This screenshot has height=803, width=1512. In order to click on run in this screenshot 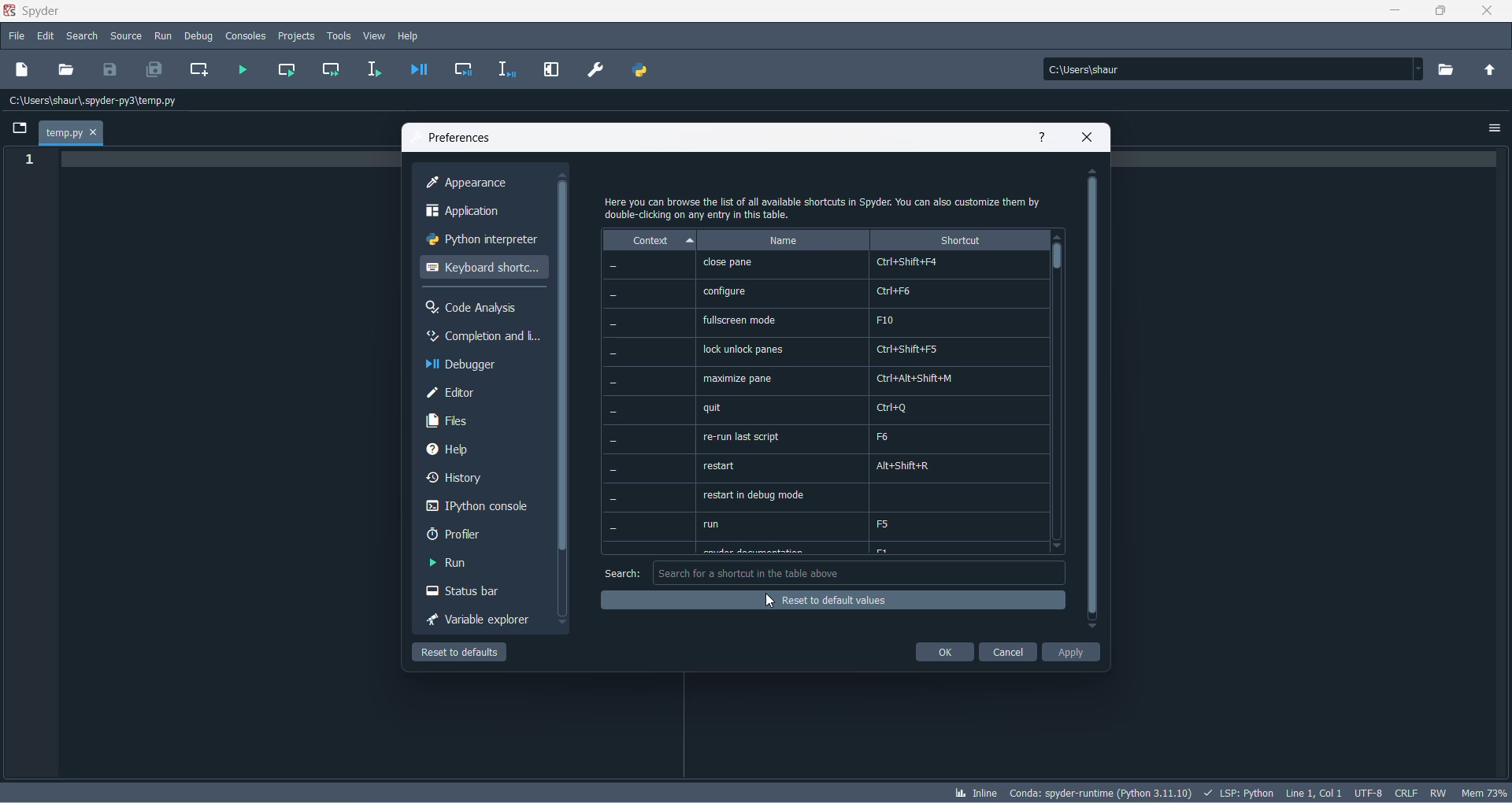, I will do `click(160, 34)`.